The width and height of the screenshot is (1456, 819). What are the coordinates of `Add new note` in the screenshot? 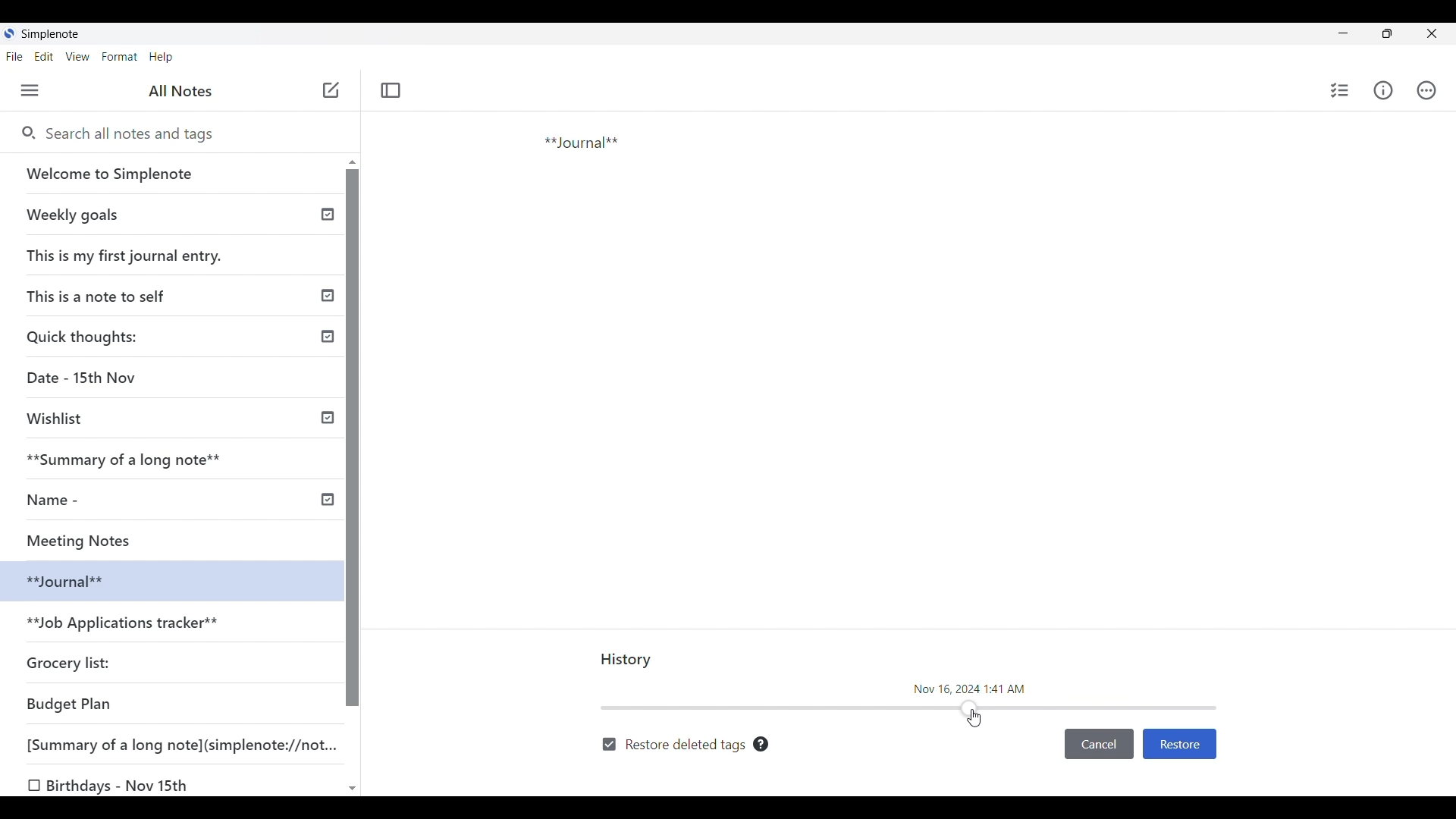 It's located at (331, 89).